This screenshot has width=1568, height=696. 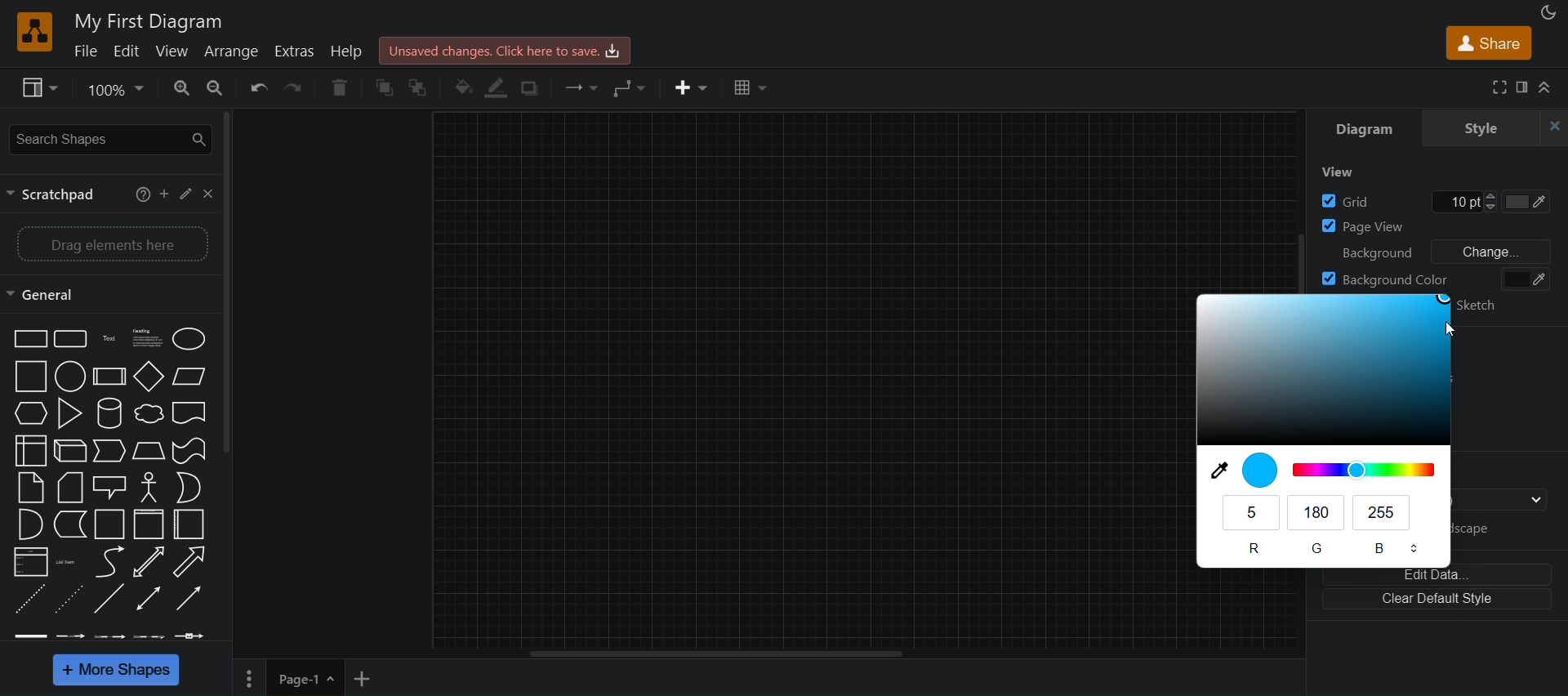 What do you see at coordinates (1323, 431) in the screenshot?
I see `blue` at bounding box center [1323, 431].